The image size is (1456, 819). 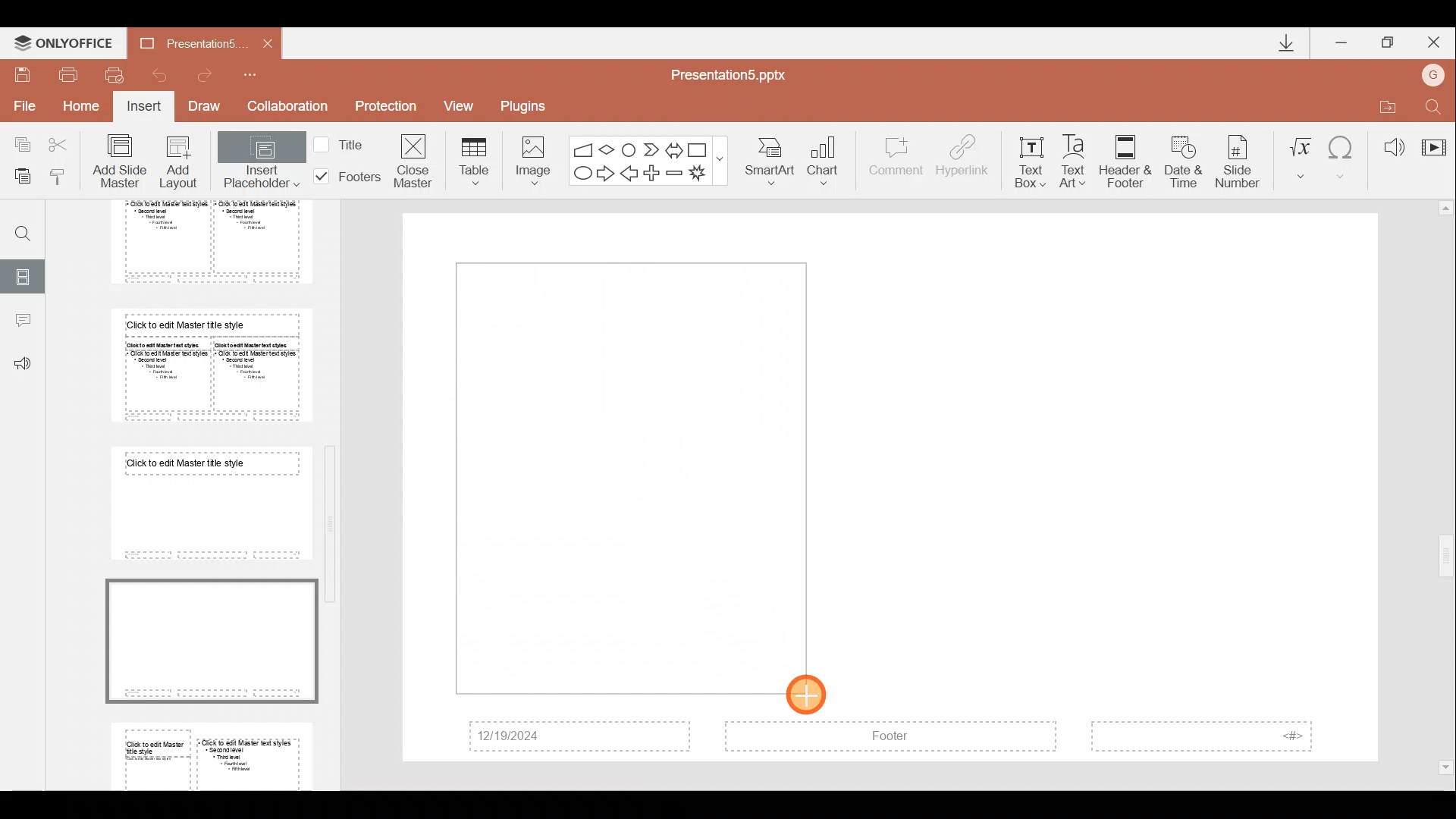 What do you see at coordinates (654, 171) in the screenshot?
I see `Plus` at bounding box center [654, 171].